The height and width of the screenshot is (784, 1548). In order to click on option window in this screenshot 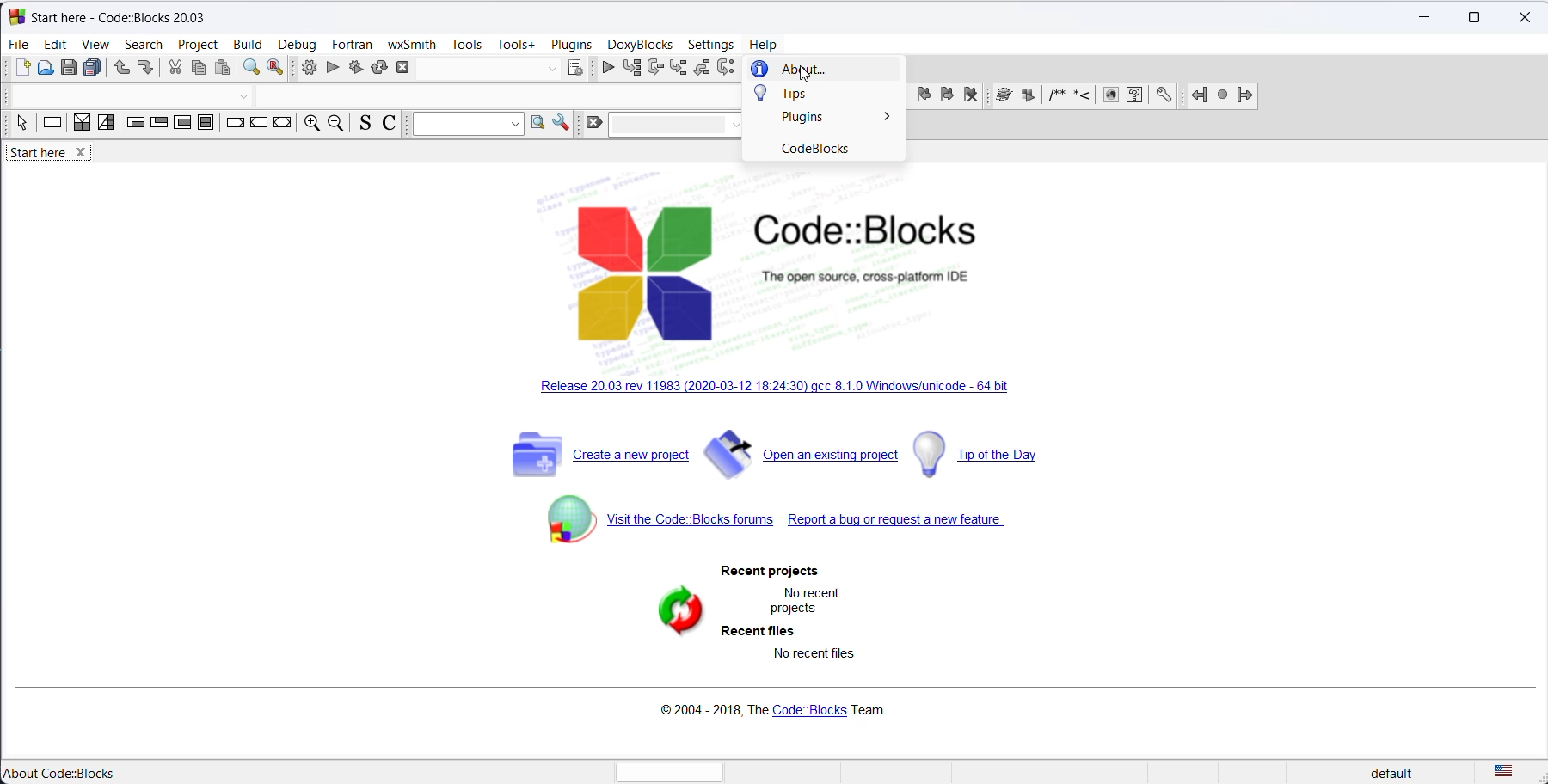, I will do `click(564, 126)`.